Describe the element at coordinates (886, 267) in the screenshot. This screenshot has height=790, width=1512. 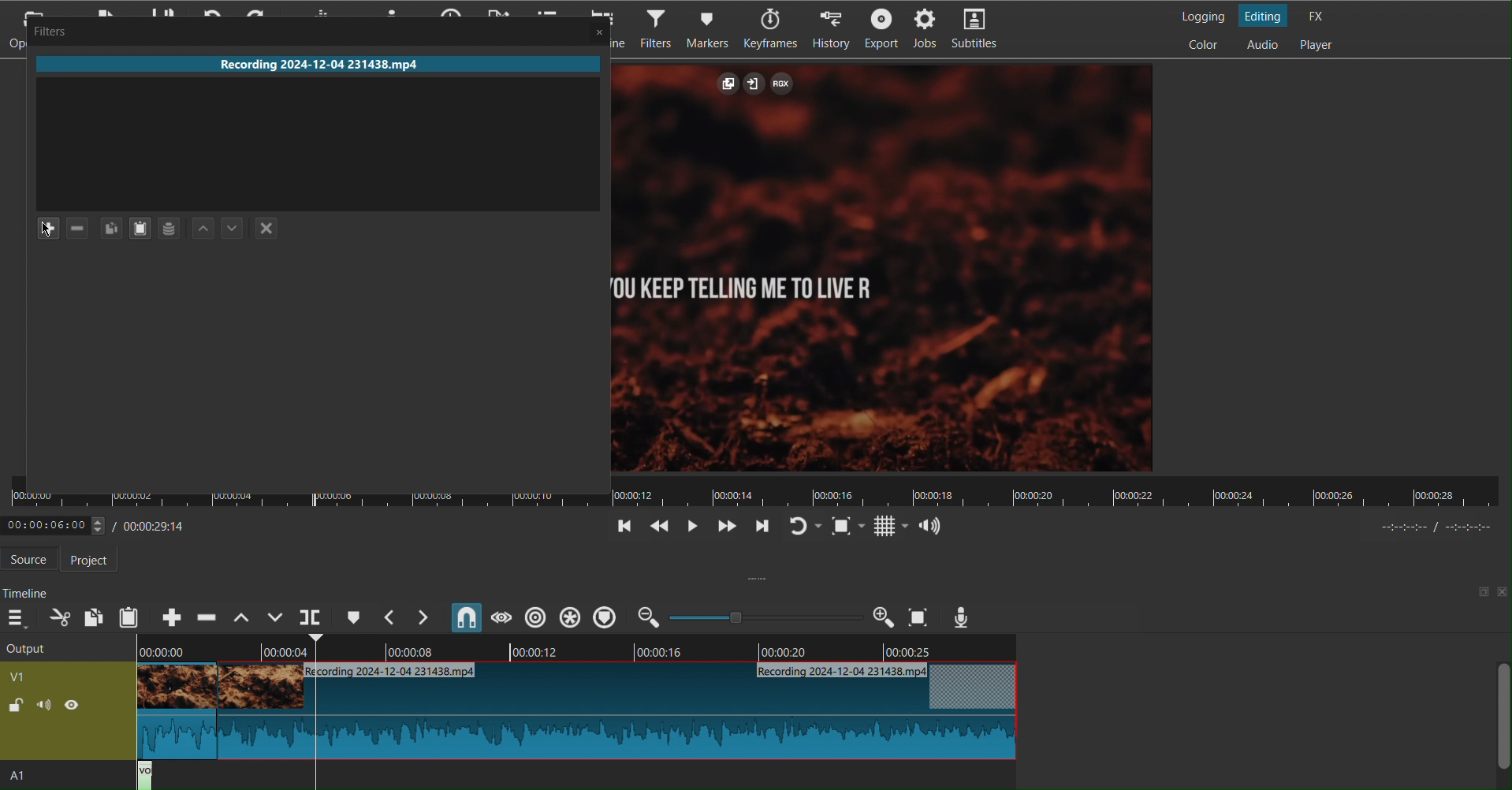
I see `Clip View` at that location.